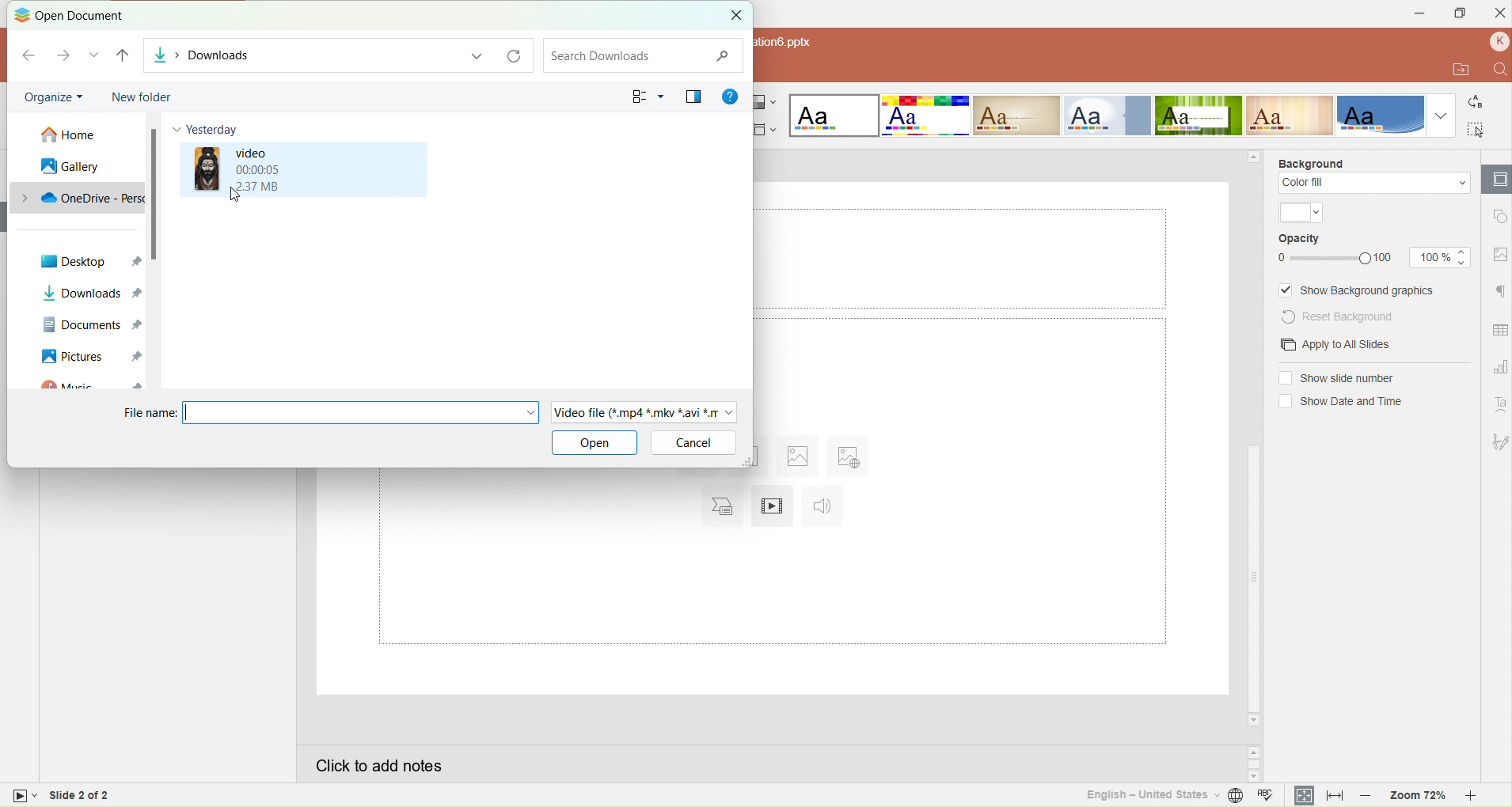 This screenshot has height=807, width=1512. Describe the element at coordinates (1338, 259) in the screenshot. I see `Opacity Slider` at that location.